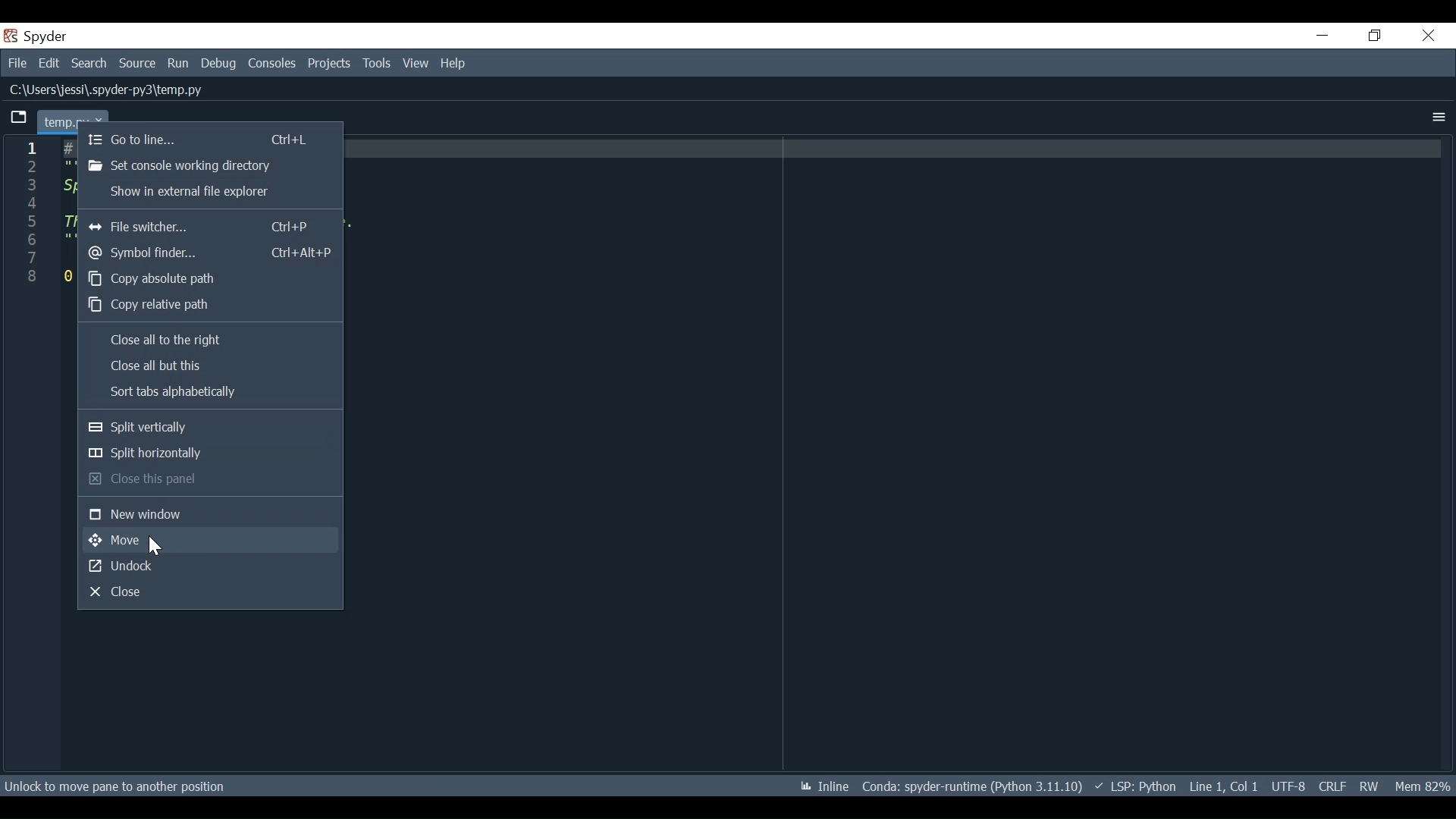 The width and height of the screenshot is (1456, 819). Describe the element at coordinates (39, 37) in the screenshot. I see `Spyder` at that location.